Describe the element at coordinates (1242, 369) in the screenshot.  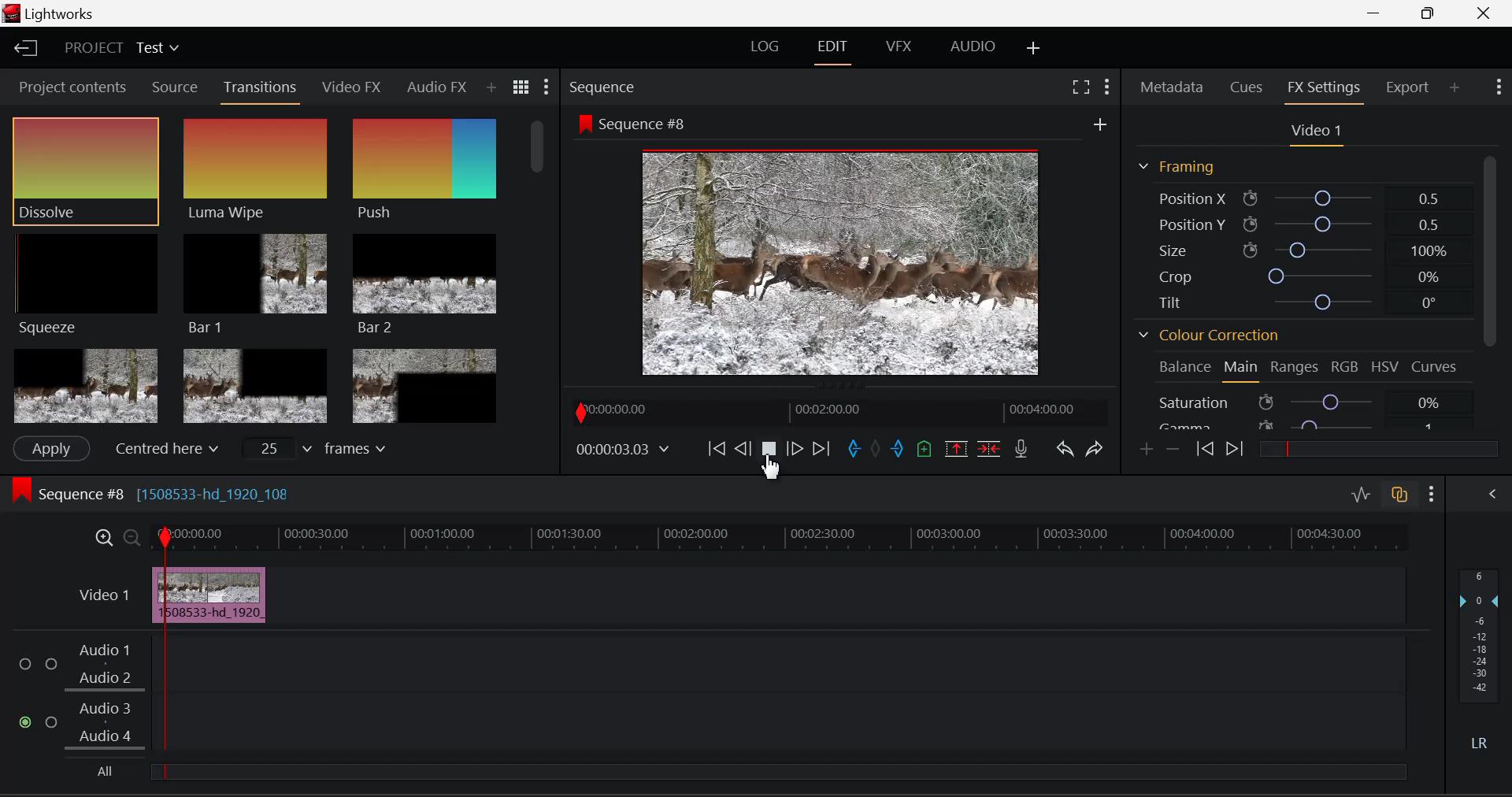
I see `Main` at that location.